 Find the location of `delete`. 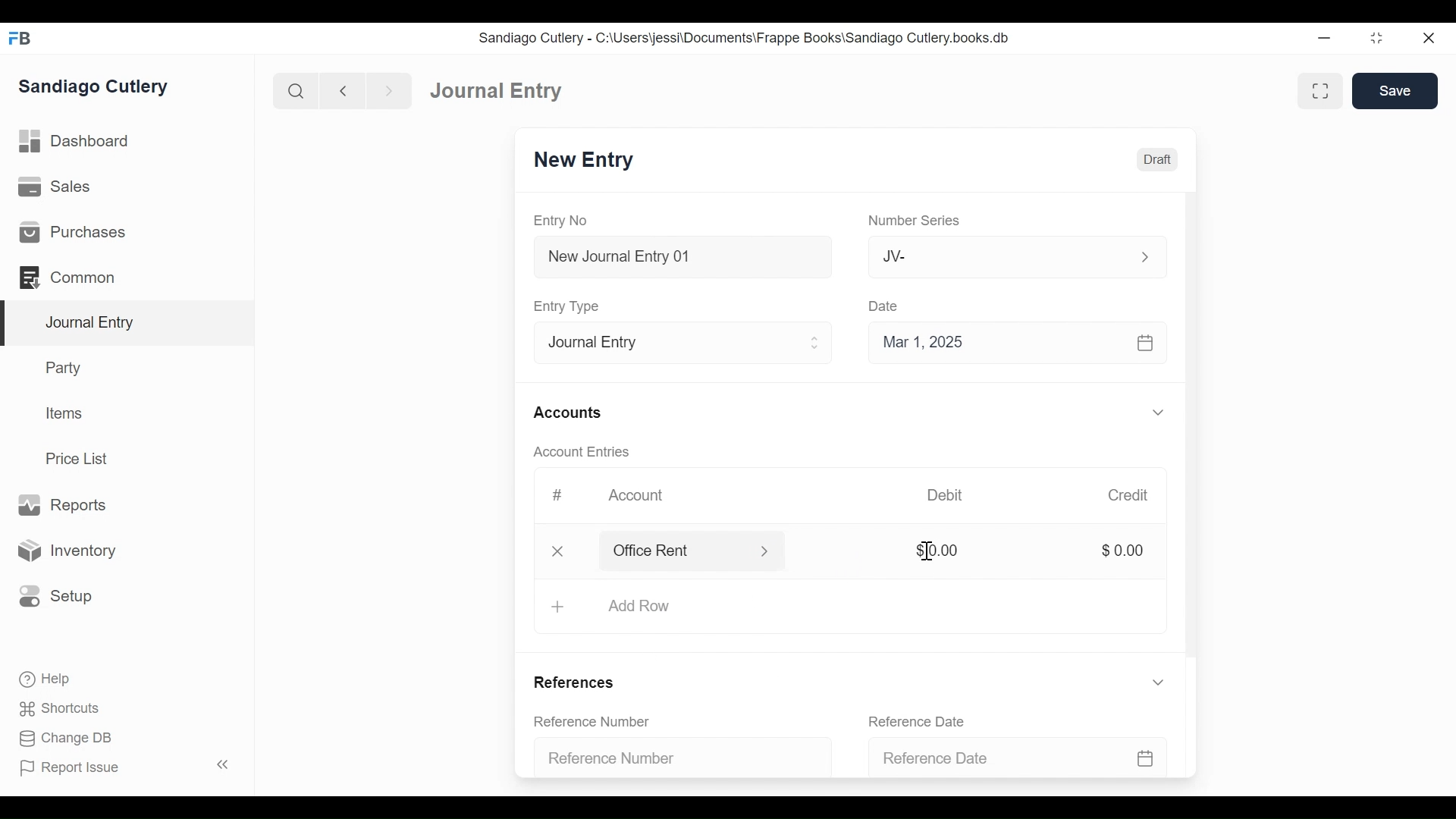

delete is located at coordinates (554, 551).